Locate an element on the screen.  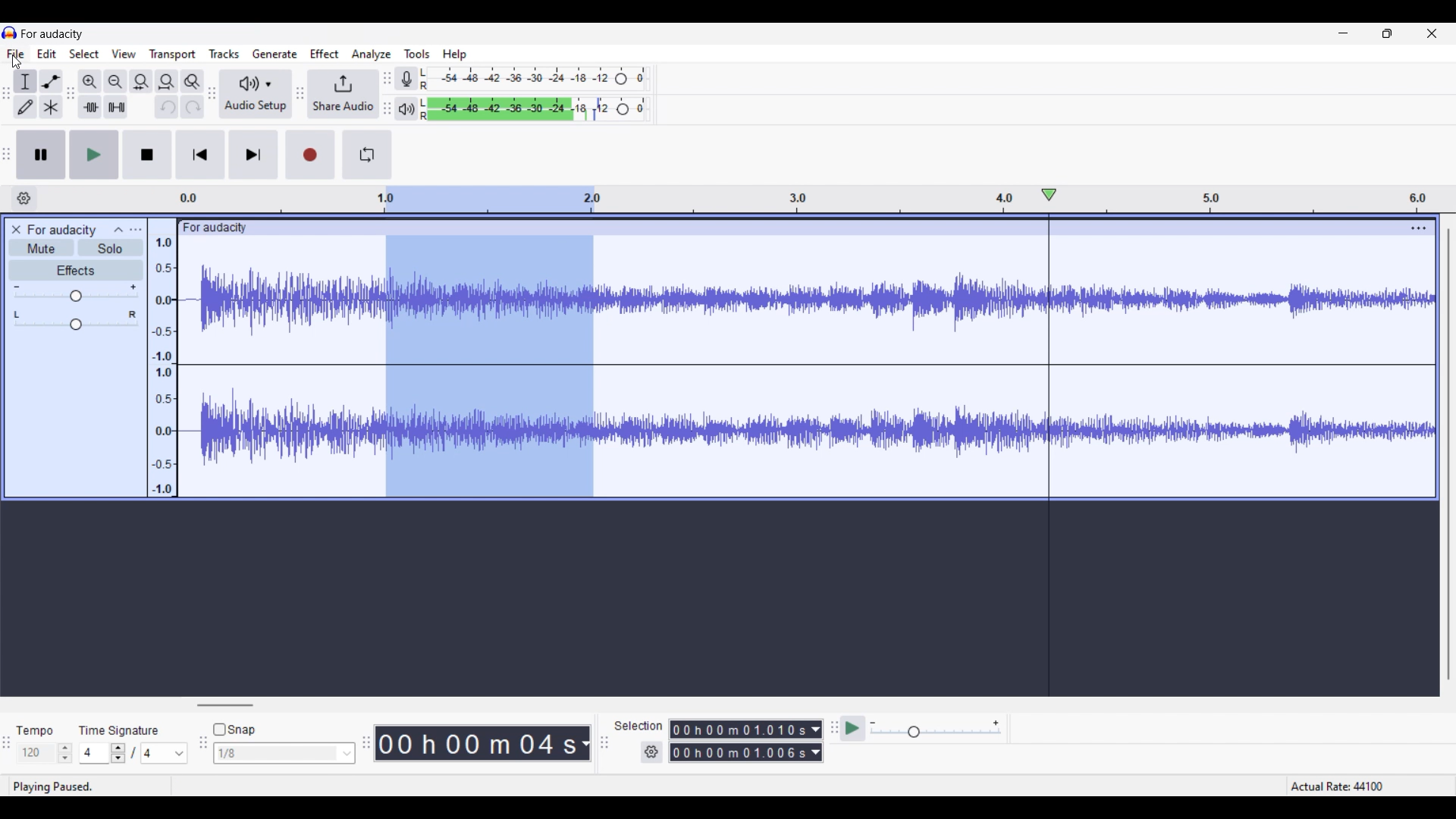
Play at speed once/Play at speed is located at coordinates (853, 729).